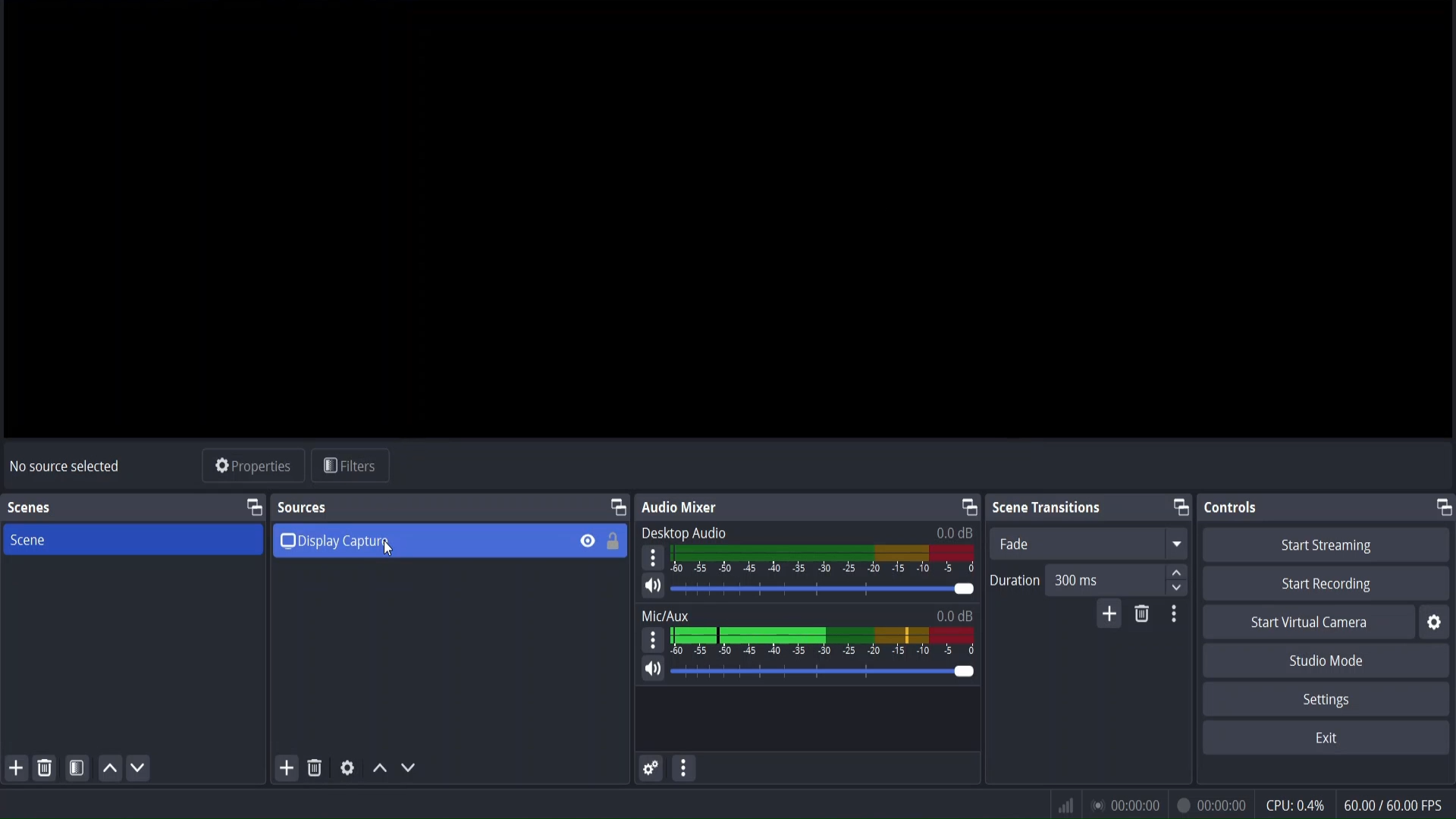  Describe the element at coordinates (17, 769) in the screenshot. I see `add scene` at that location.